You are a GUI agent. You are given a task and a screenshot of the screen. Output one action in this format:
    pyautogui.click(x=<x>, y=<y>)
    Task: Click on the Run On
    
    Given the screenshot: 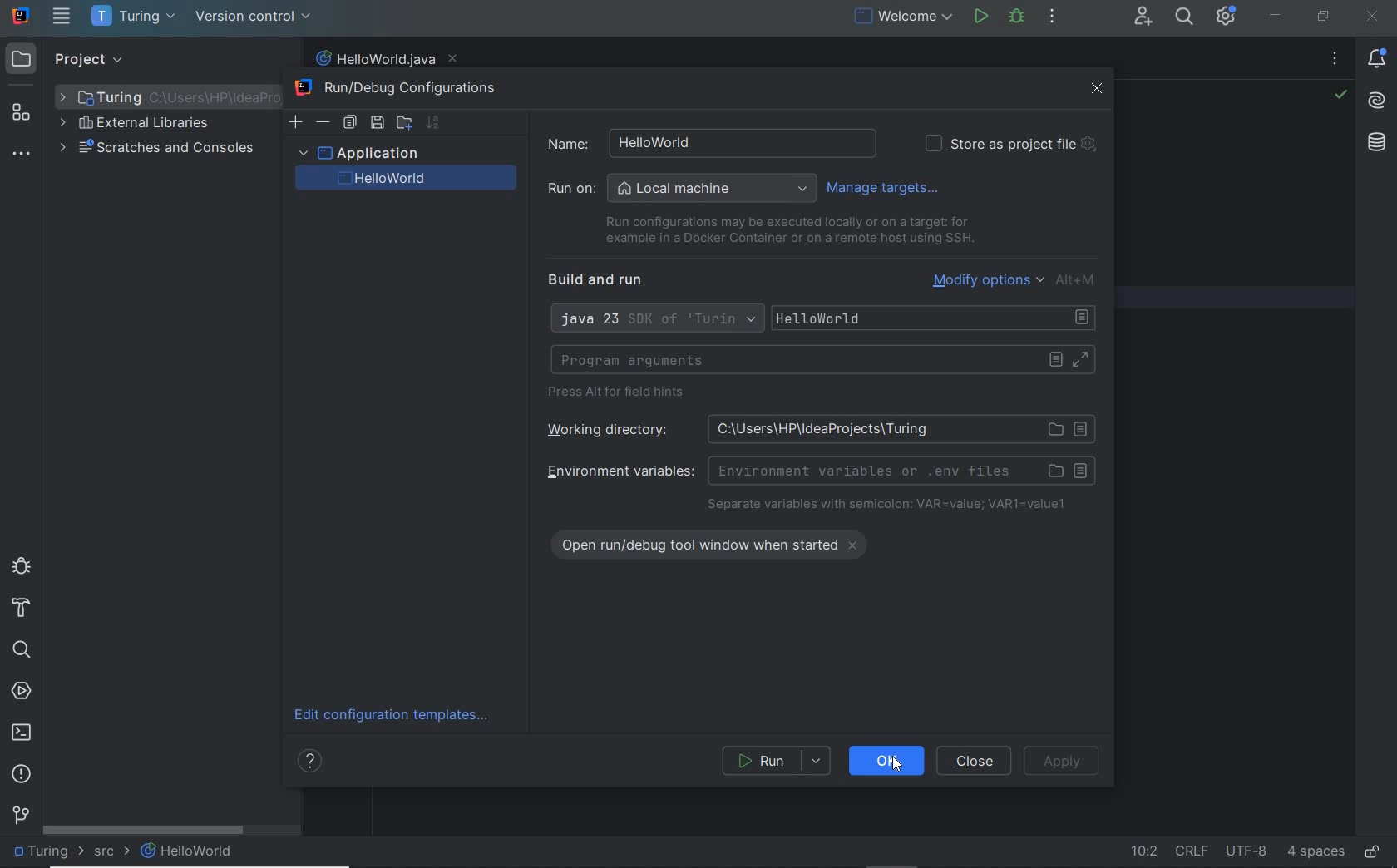 What is the action you would take?
    pyautogui.click(x=682, y=189)
    